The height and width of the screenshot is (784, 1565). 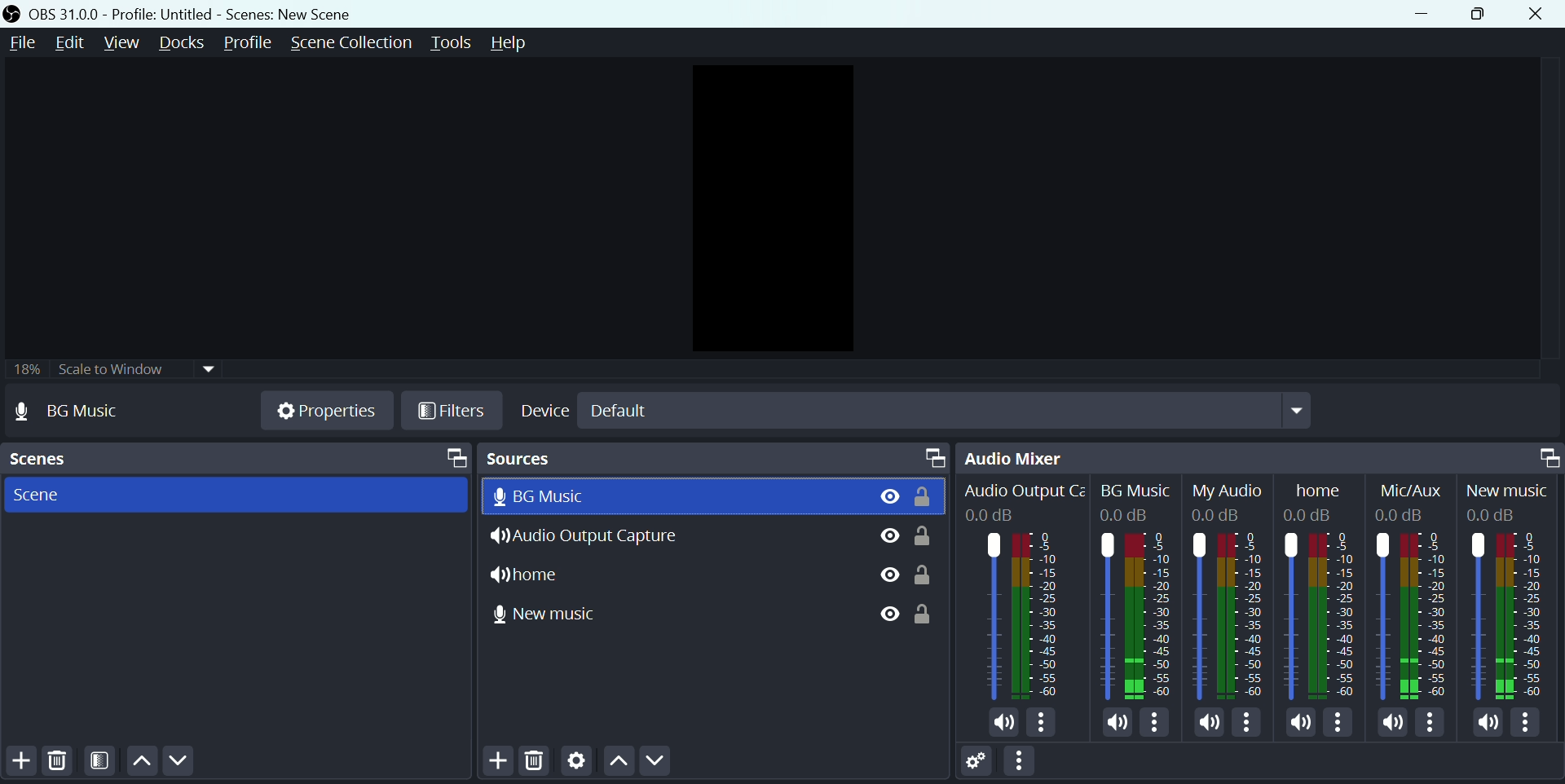 I want to click on Settings, so click(x=976, y=760).